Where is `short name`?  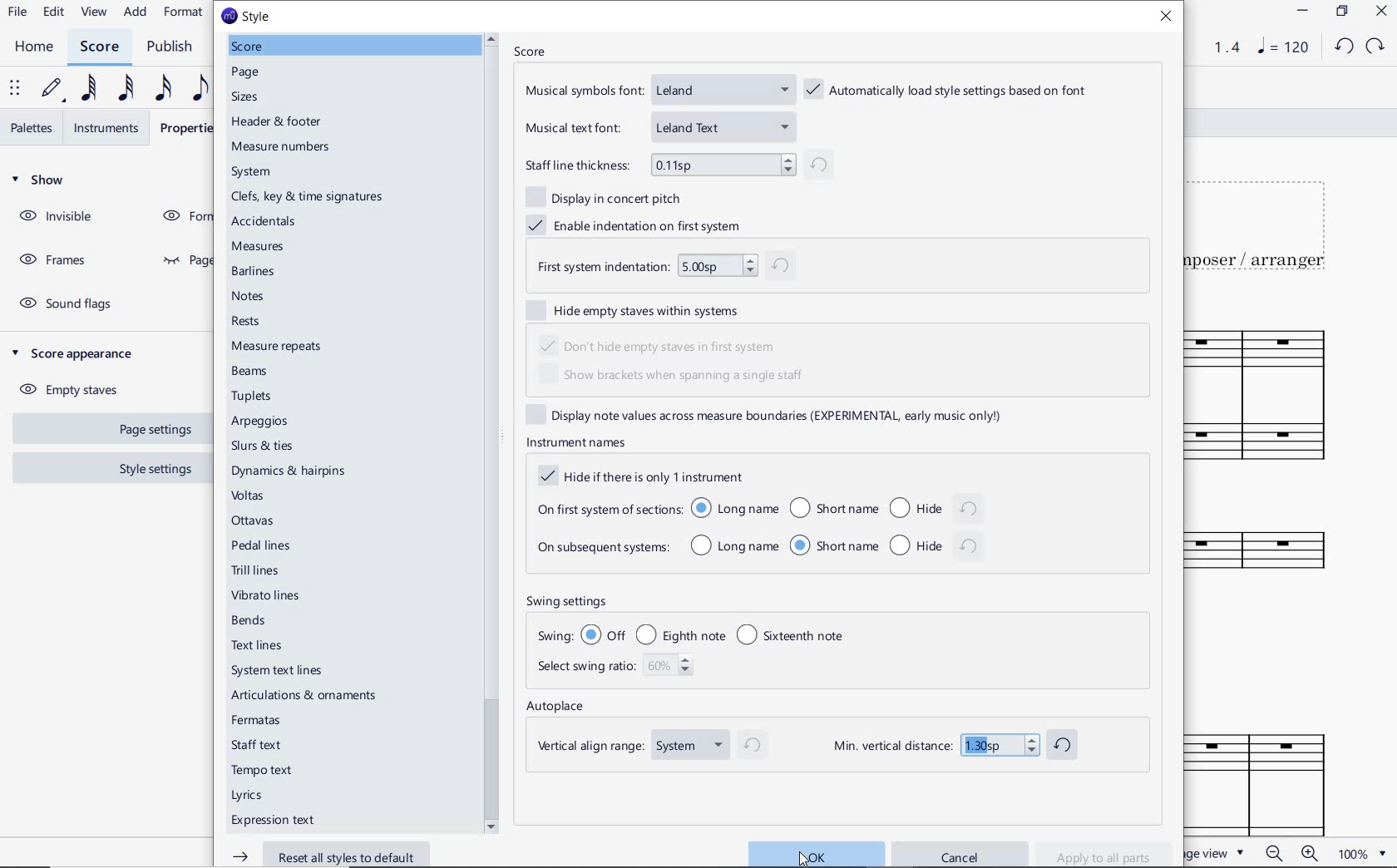 short name is located at coordinates (832, 507).